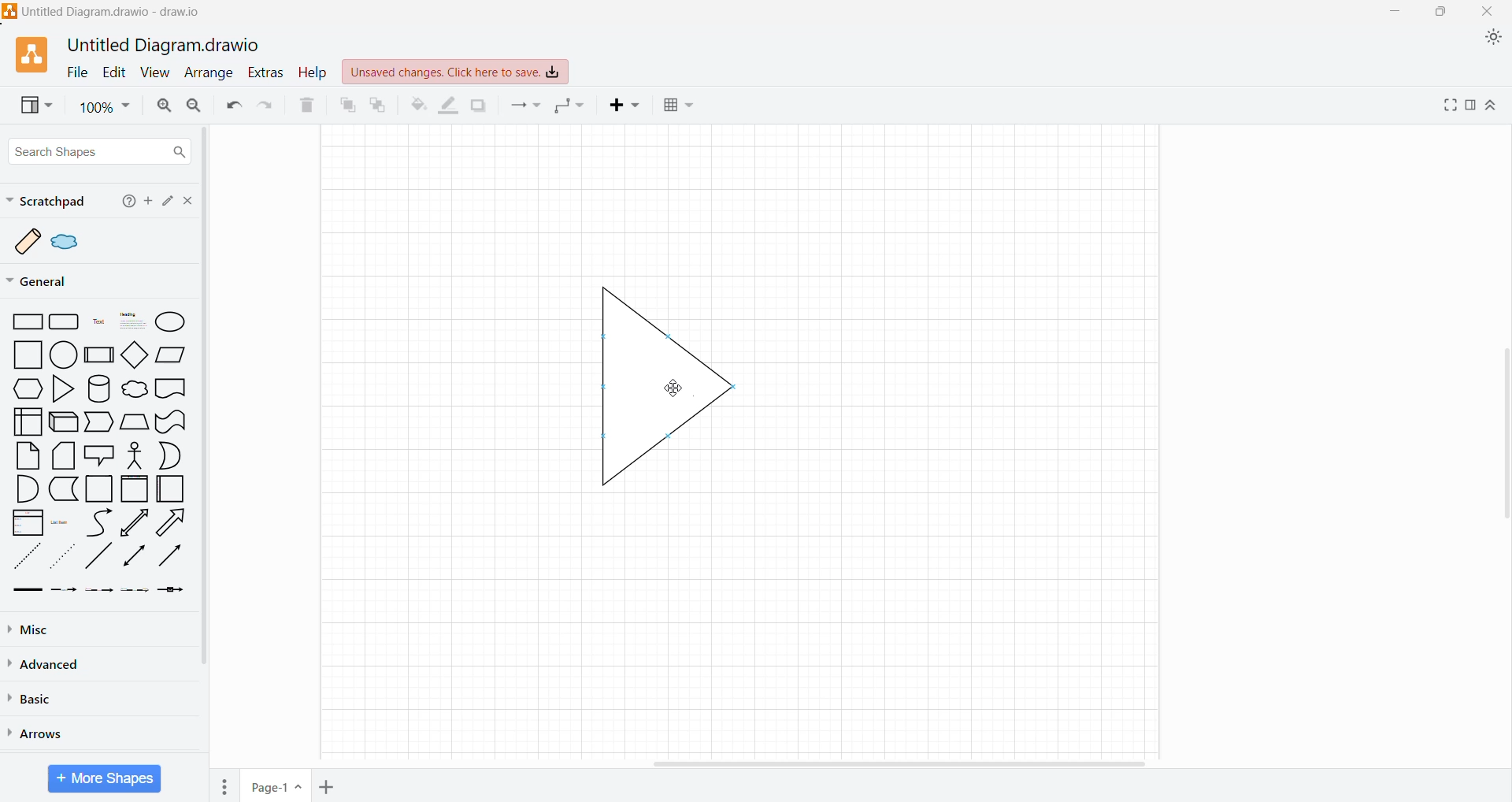  I want to click on Insert, so click(626, 106).